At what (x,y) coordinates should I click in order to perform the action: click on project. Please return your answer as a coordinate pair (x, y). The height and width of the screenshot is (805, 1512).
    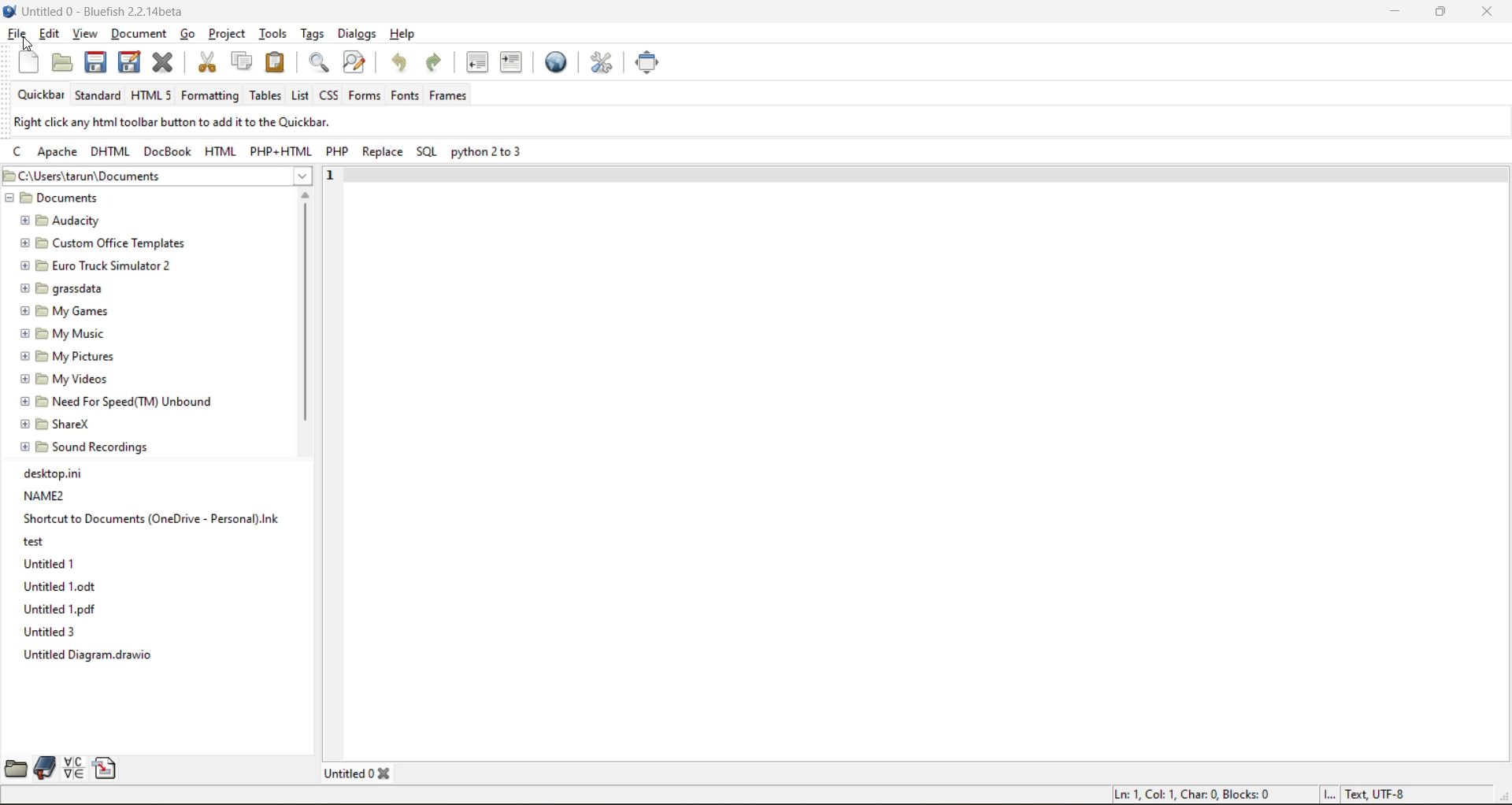
    Looking at the image, I should click on (230, 35).